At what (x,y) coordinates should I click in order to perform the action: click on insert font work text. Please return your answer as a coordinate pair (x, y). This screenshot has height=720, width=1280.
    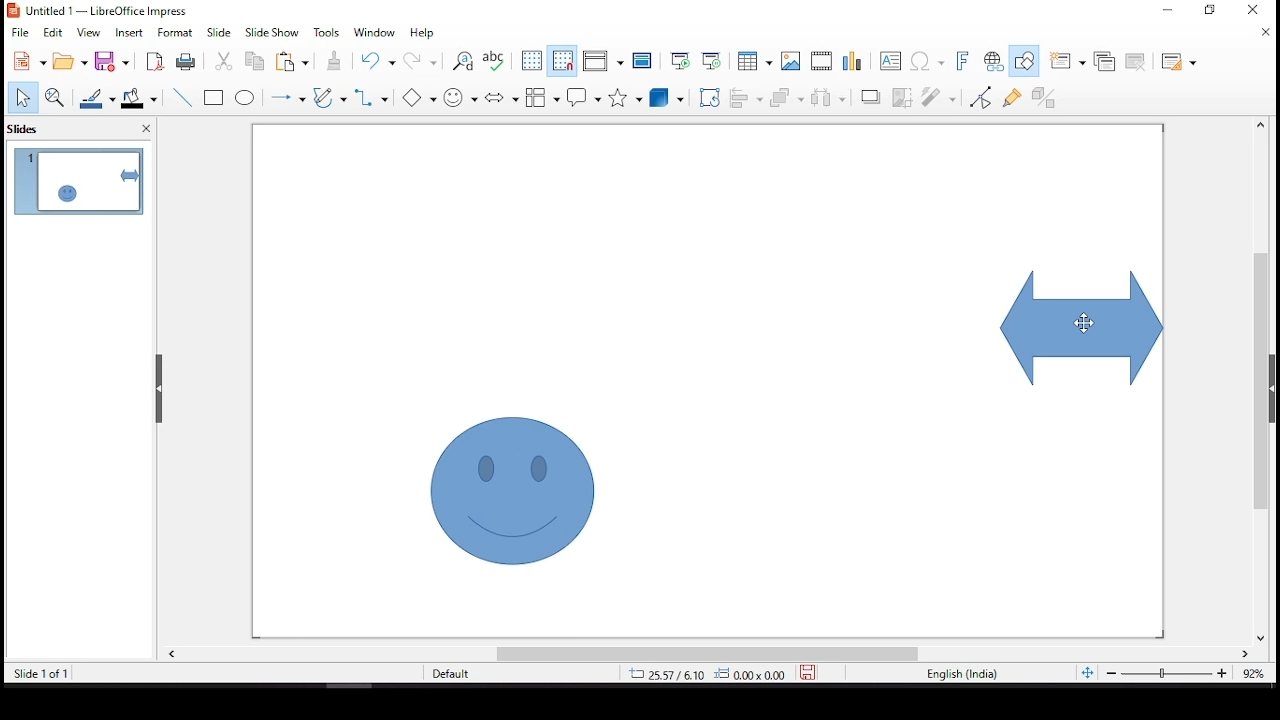
    Looking at the image, I should click on (963, 60).